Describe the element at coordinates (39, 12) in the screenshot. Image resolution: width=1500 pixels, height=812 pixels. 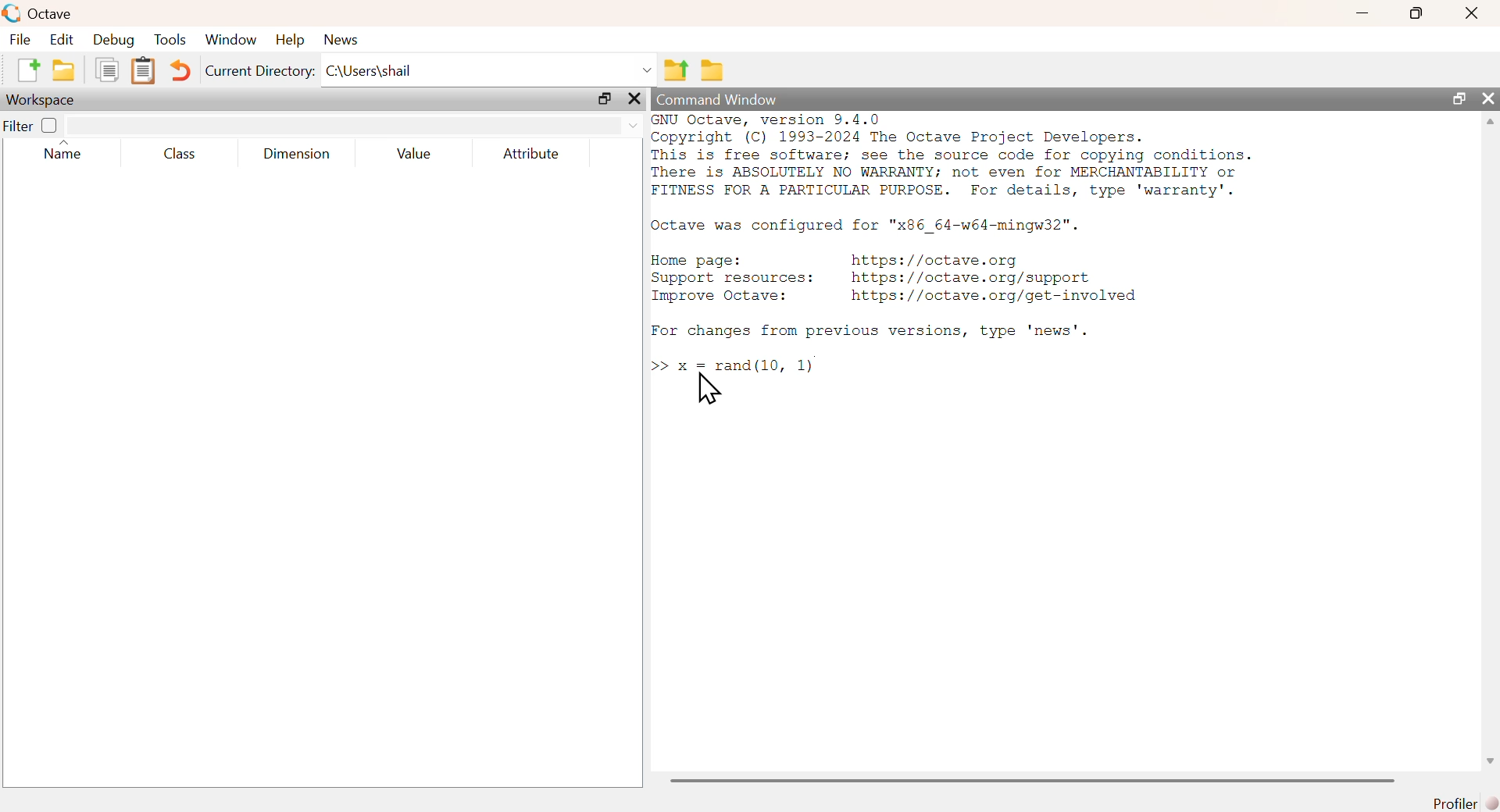
I see `octave` at that location.